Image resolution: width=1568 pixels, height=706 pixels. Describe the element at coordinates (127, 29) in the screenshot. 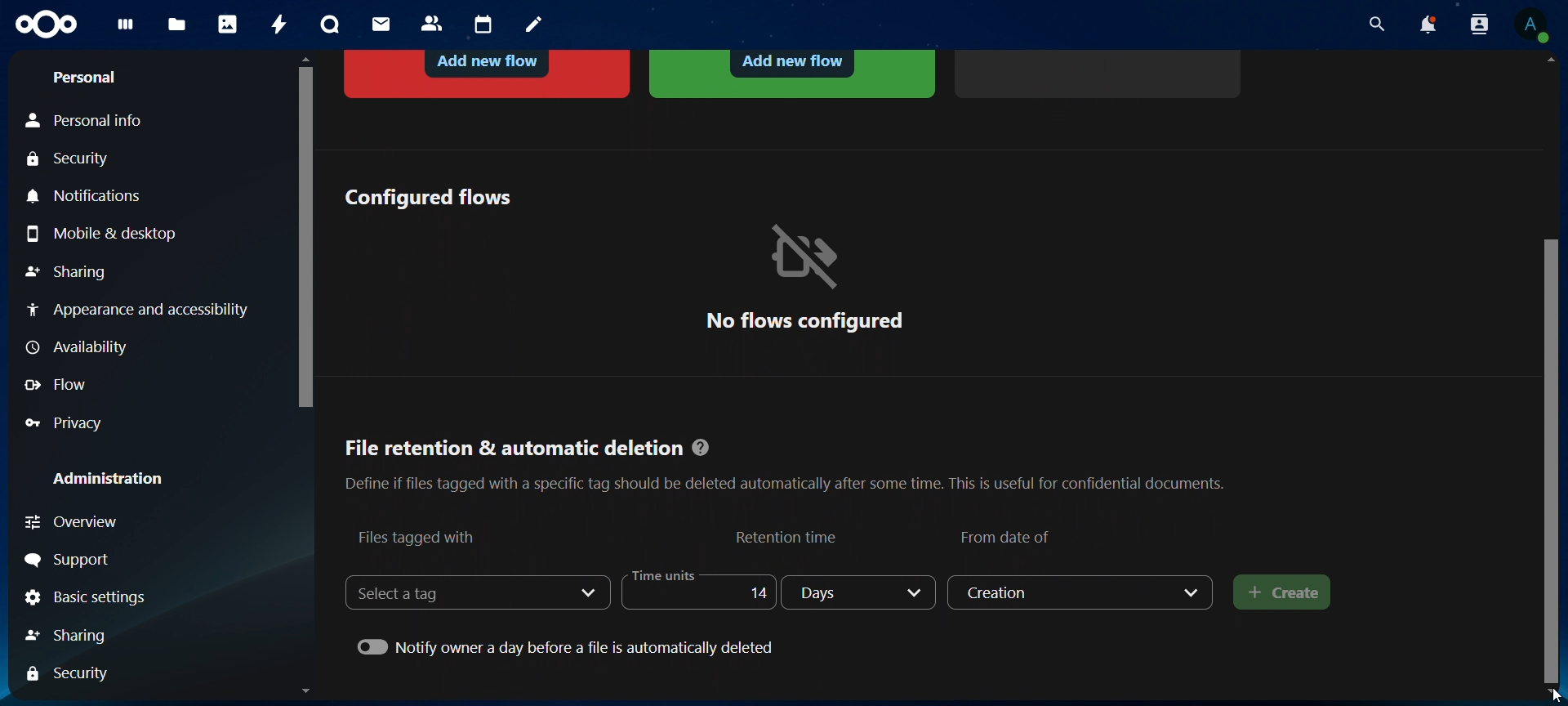

I see `dashboard` at that location.